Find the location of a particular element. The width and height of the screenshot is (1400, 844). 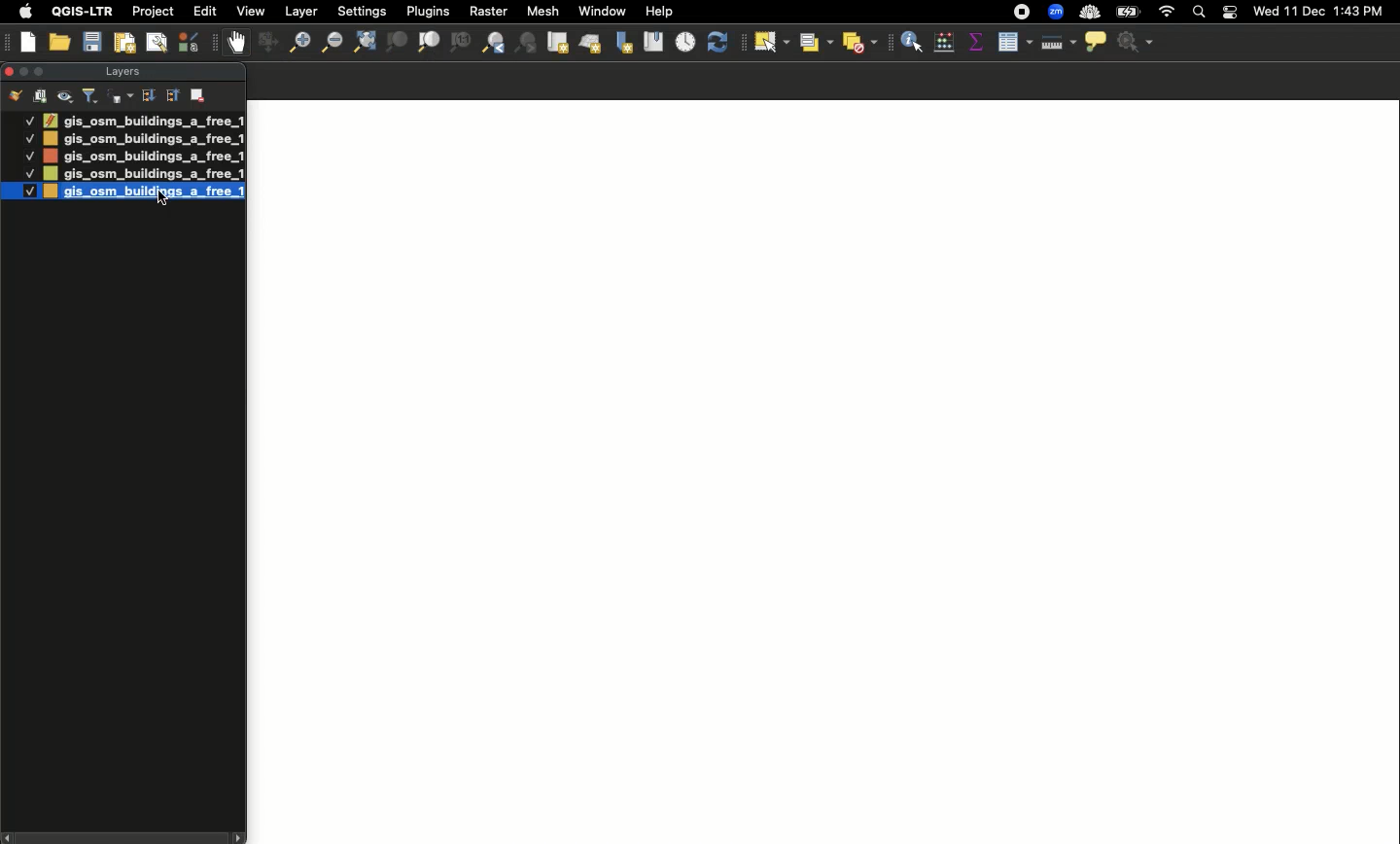

Temporal controller panel  is located at coordinates (686, 44).